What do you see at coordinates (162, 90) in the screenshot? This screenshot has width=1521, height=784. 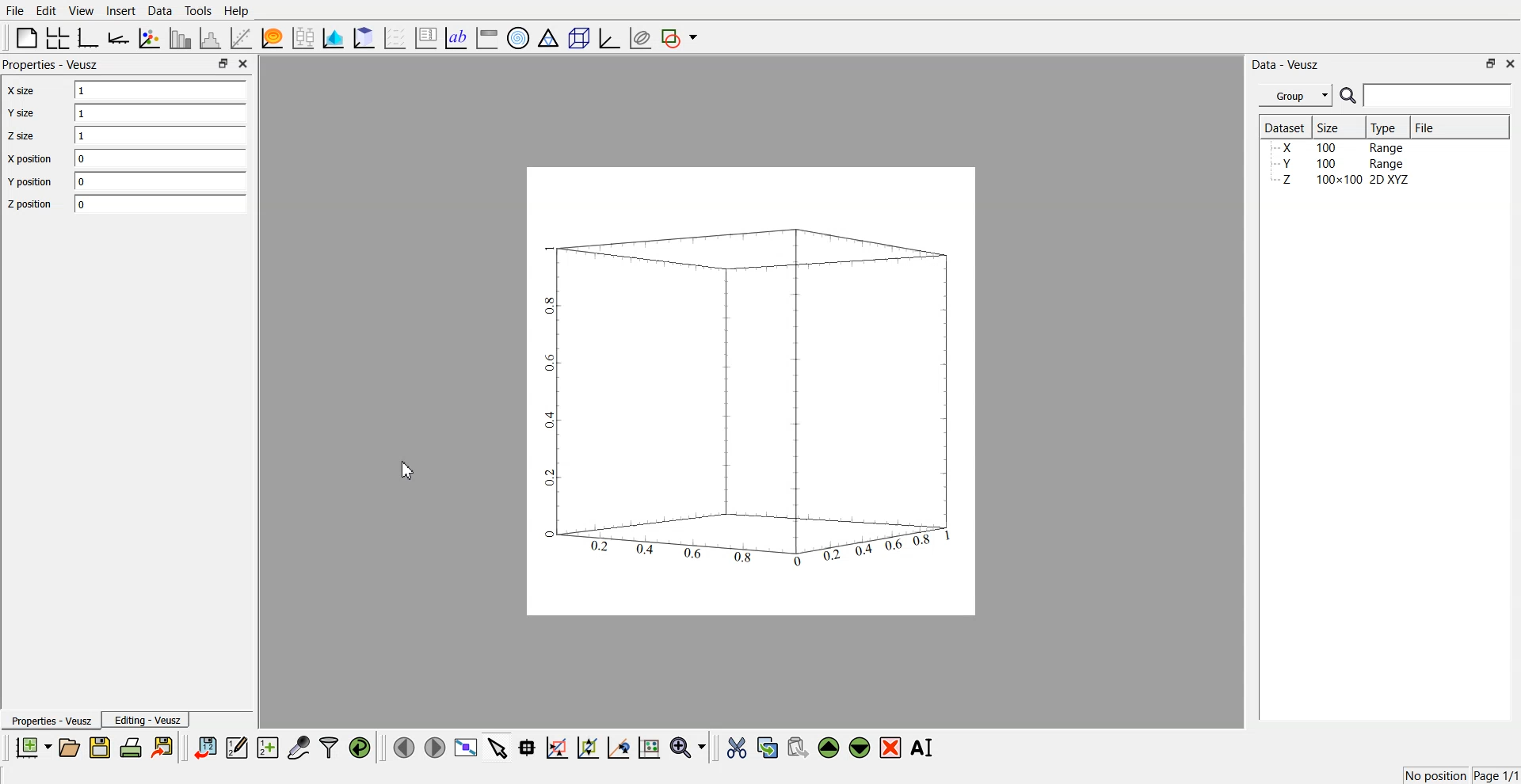 I see `1` at bounding box center [162, 90].